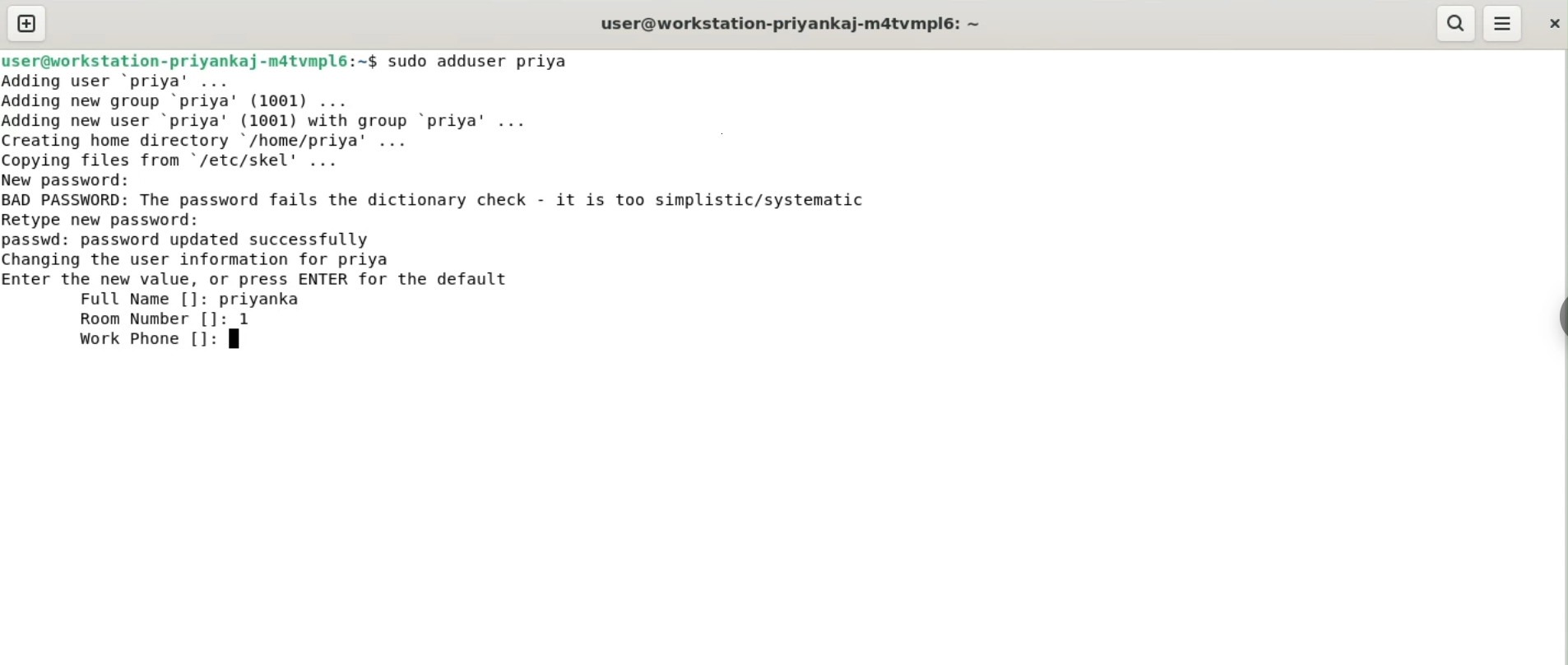 This screenshot has width=1568, height=665. I want to click on room number, so click(136, 321).